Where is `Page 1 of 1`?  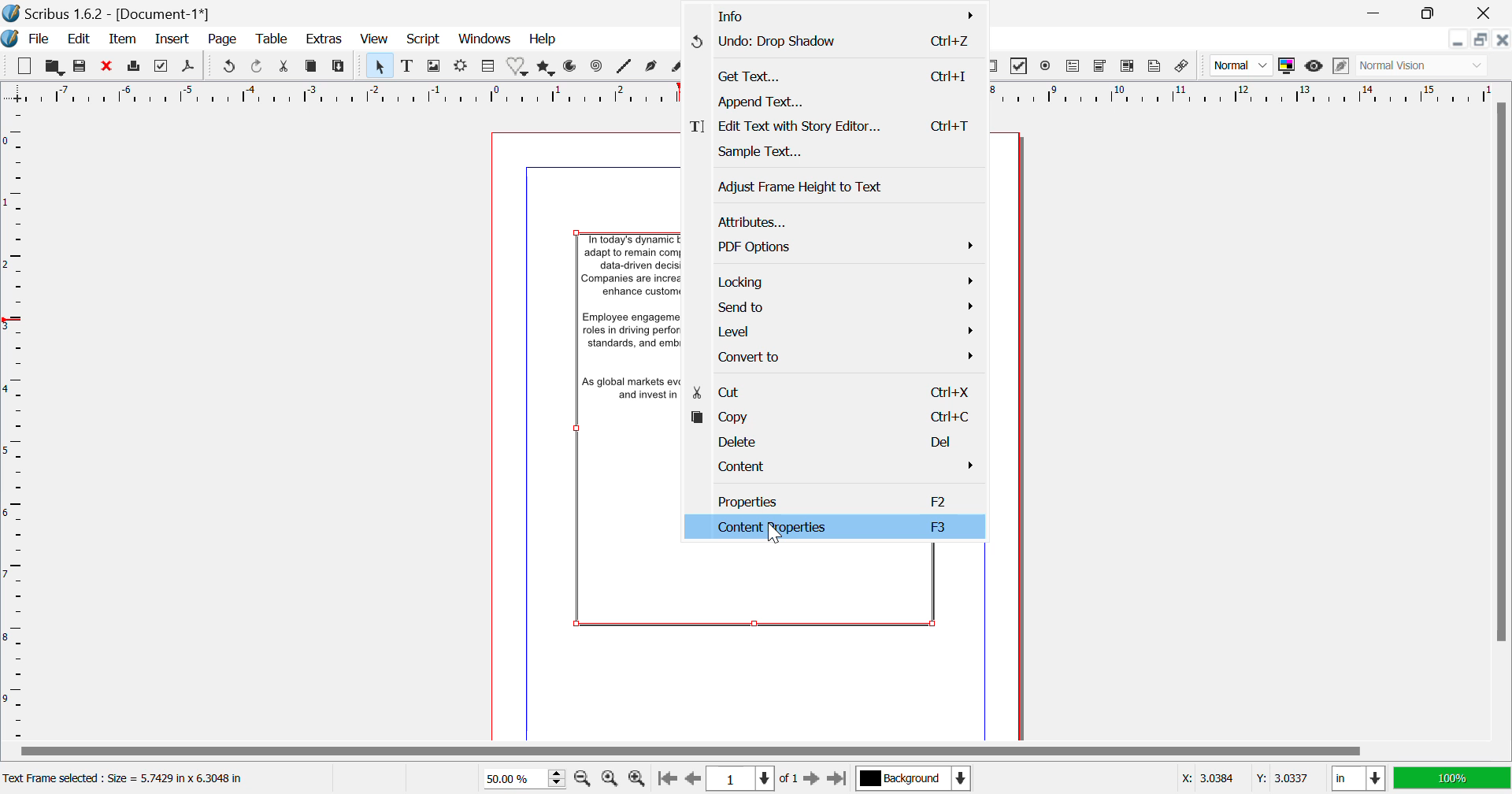 Page 1 of 1 is located at coordinates (755, 780).